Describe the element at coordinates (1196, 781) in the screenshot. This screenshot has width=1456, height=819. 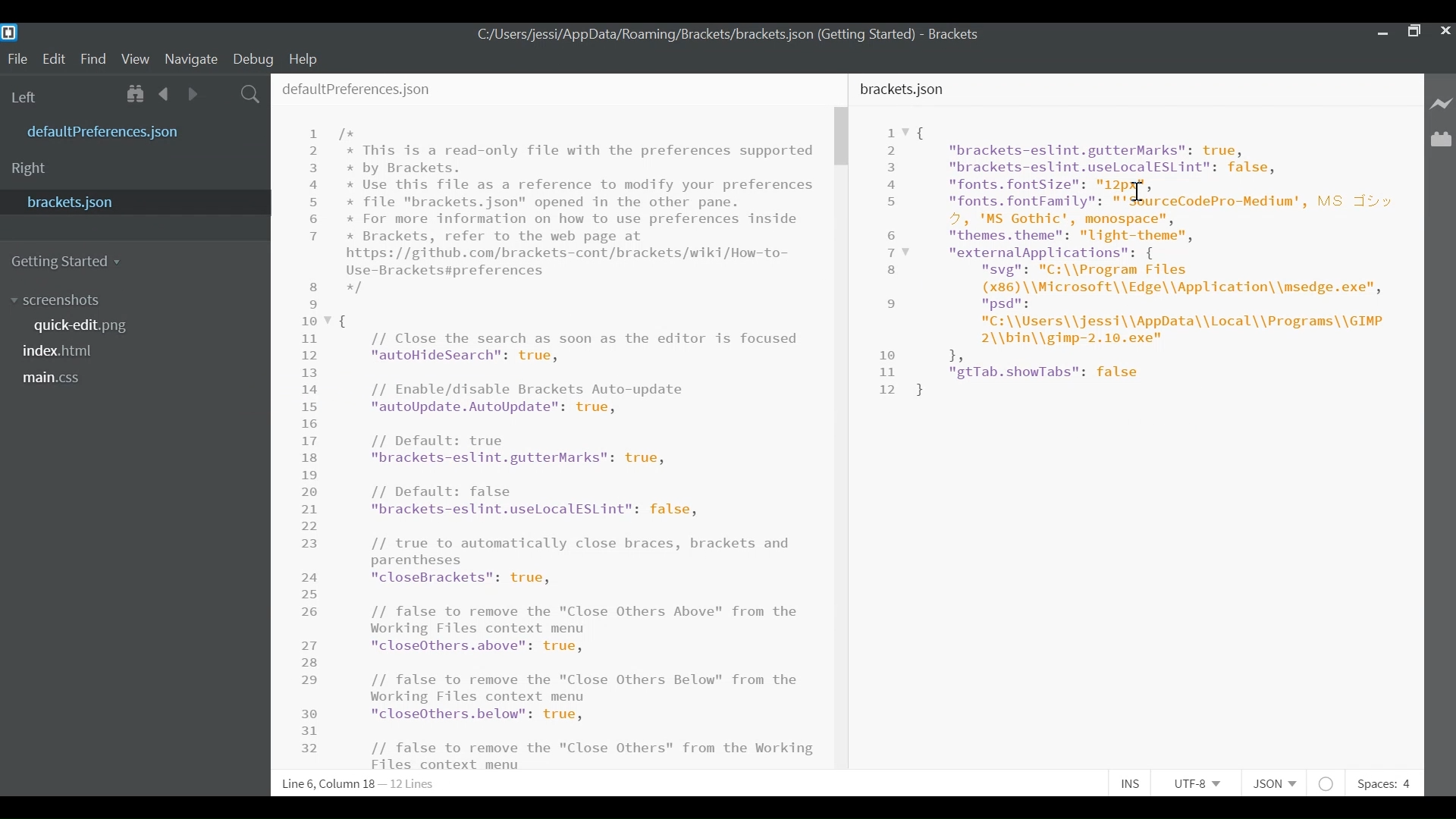
I see `UTF-8` at that location.